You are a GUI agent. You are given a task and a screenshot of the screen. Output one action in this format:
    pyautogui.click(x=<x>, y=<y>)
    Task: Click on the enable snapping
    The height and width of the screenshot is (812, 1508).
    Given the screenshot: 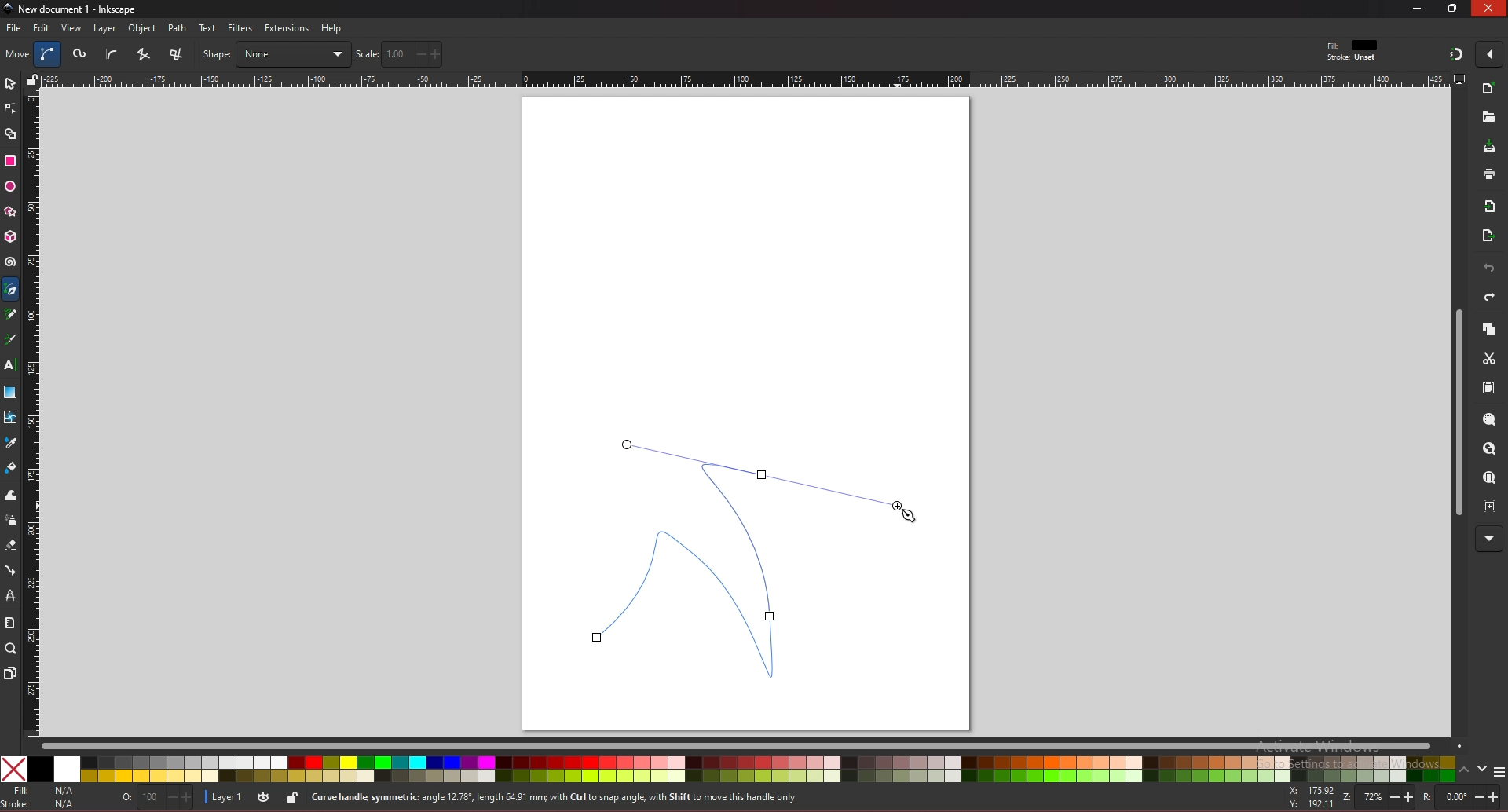 What is the action you would take?
    pyautogui.click(x=1489, y=53)
    